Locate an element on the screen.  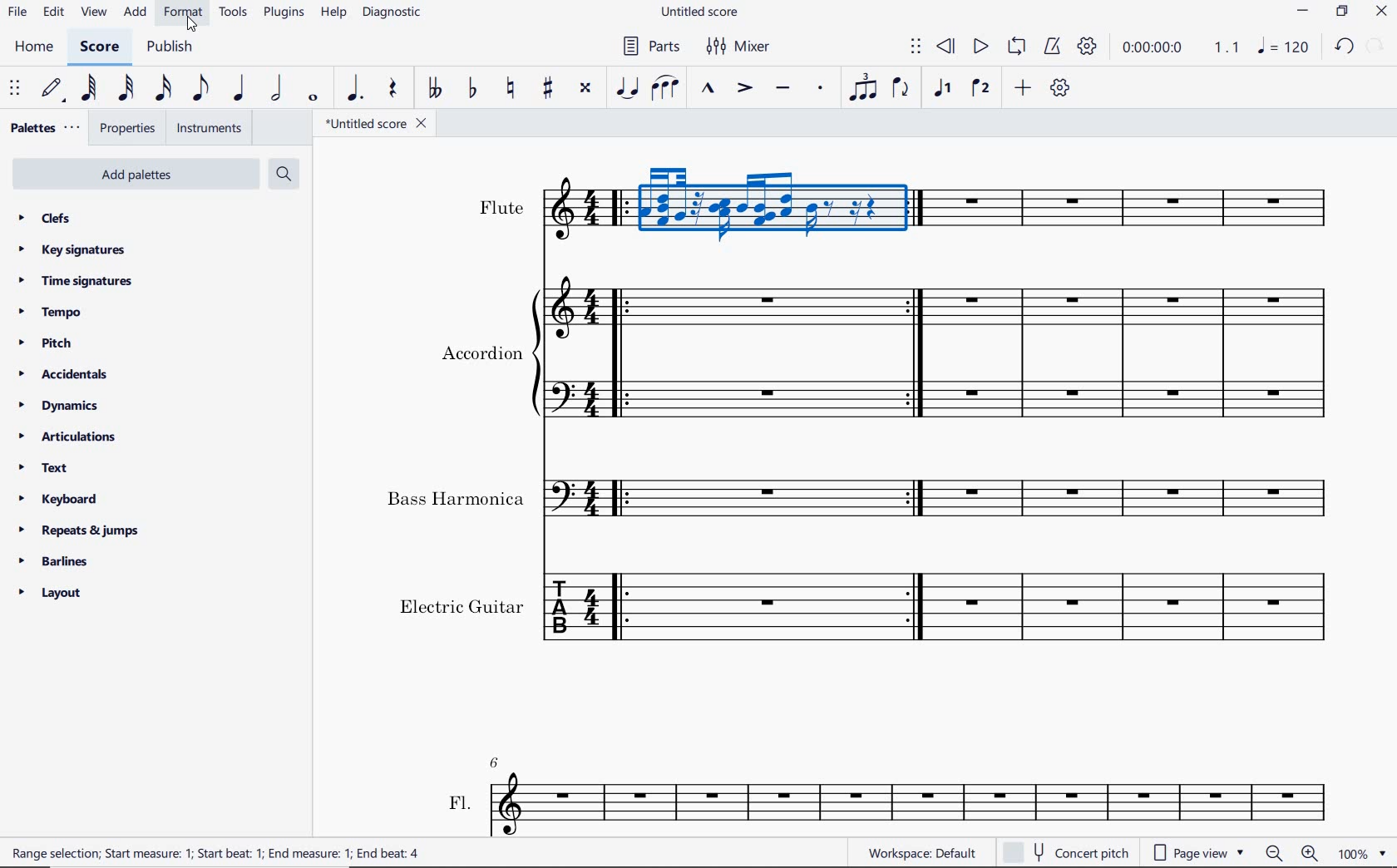
Instrument: Accordion is located at coordinates (891, 353).